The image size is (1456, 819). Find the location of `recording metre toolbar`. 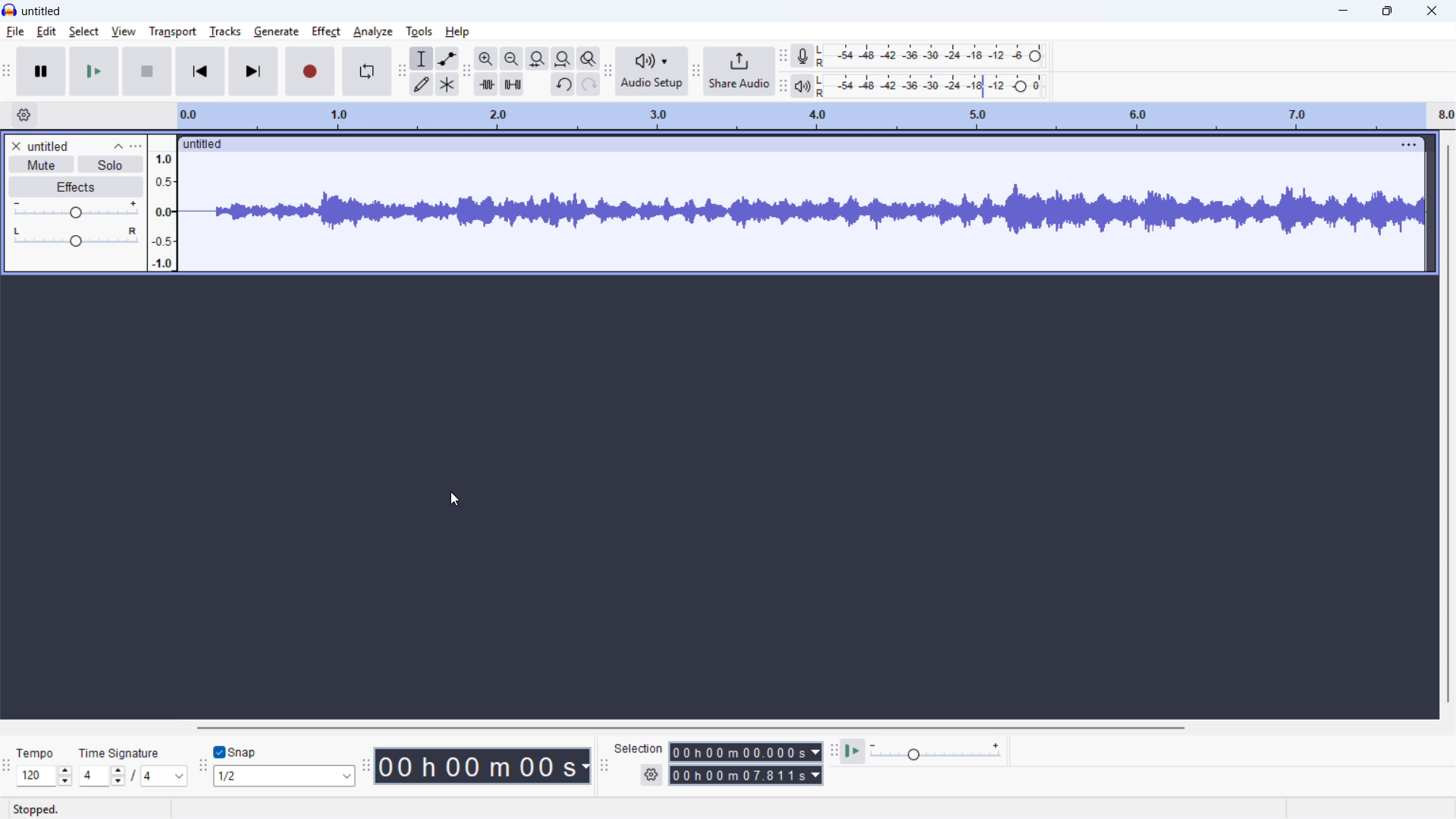

recording metre toolbar is located at coordinates (783, 55).